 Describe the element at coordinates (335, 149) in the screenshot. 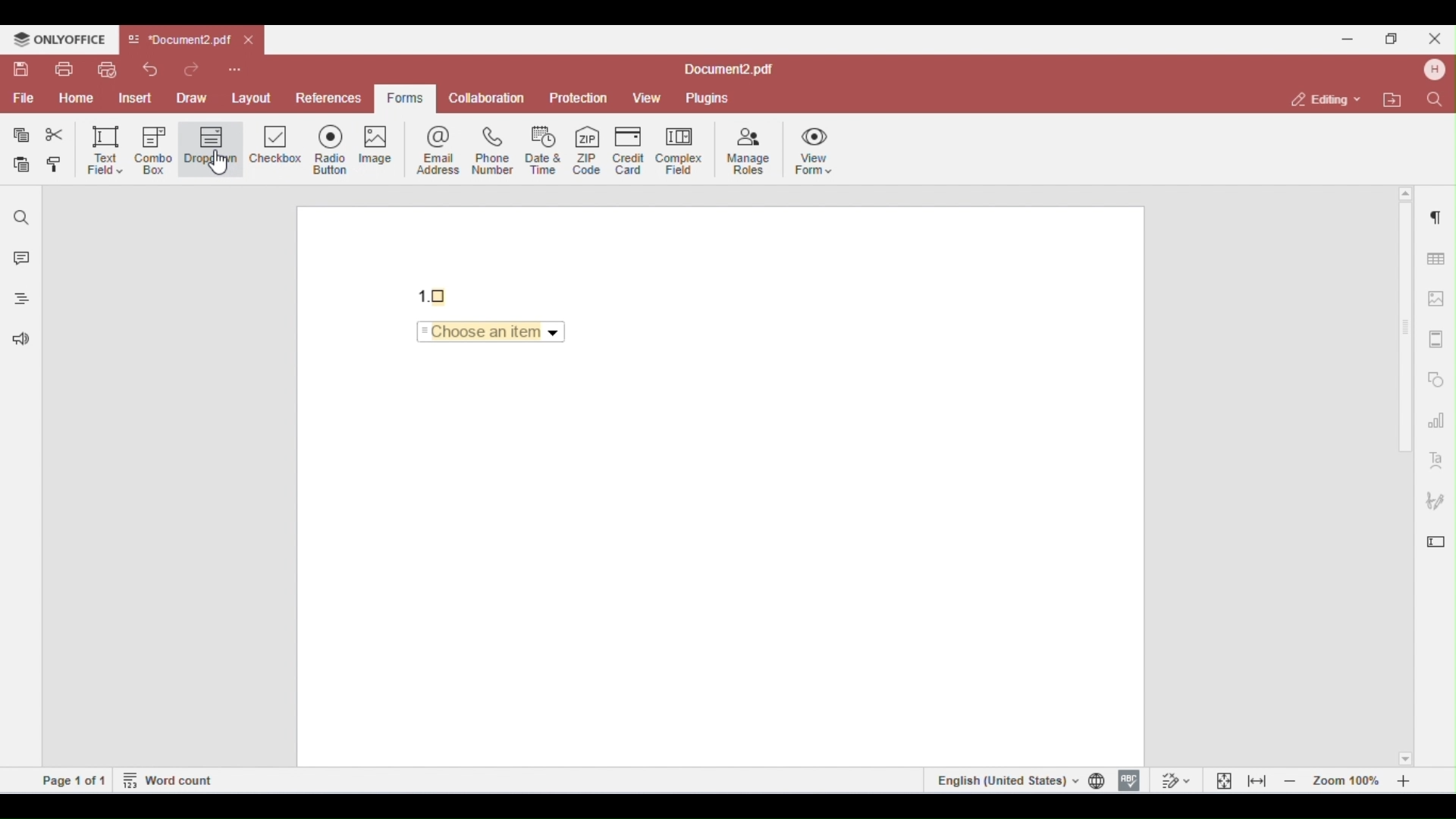

I see `radio button` at that location.